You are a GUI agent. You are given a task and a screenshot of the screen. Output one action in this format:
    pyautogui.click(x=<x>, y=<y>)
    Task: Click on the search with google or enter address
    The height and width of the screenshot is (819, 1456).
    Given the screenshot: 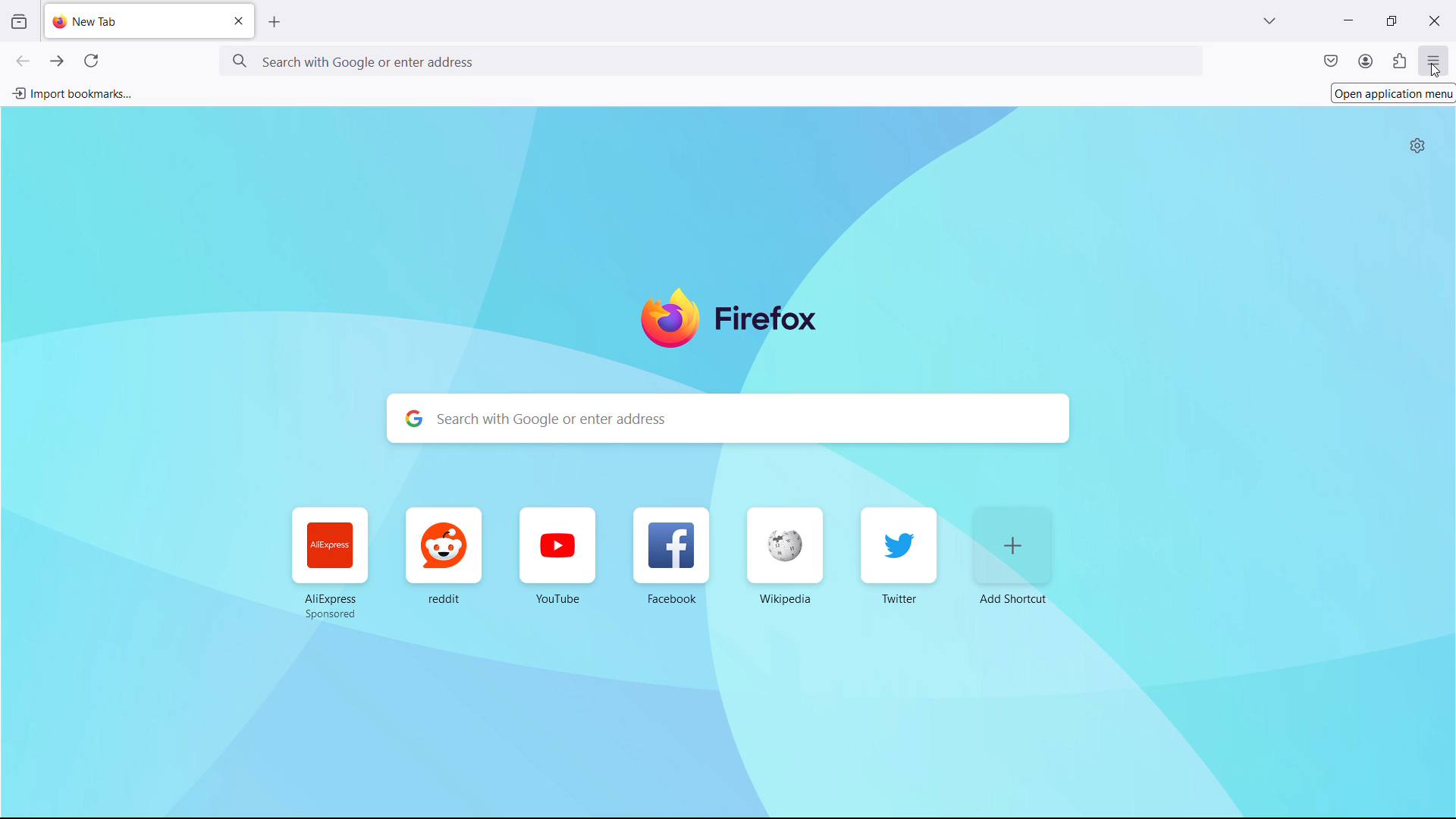 What is the action you would take?
    pyautogui.click(x=710, y=60)
    